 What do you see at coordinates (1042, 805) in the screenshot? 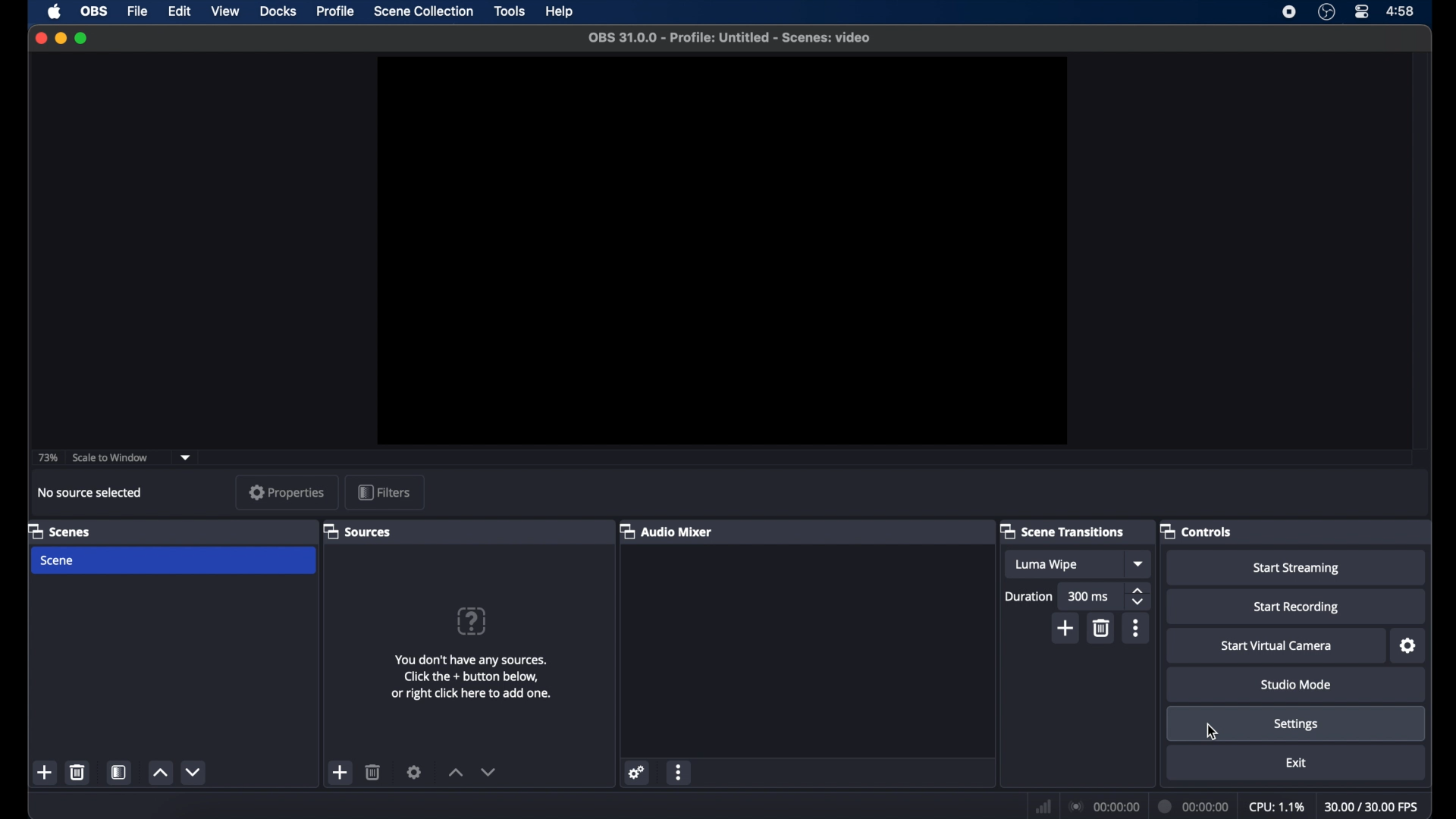
I see `network` at bounding box center [1042, 805].